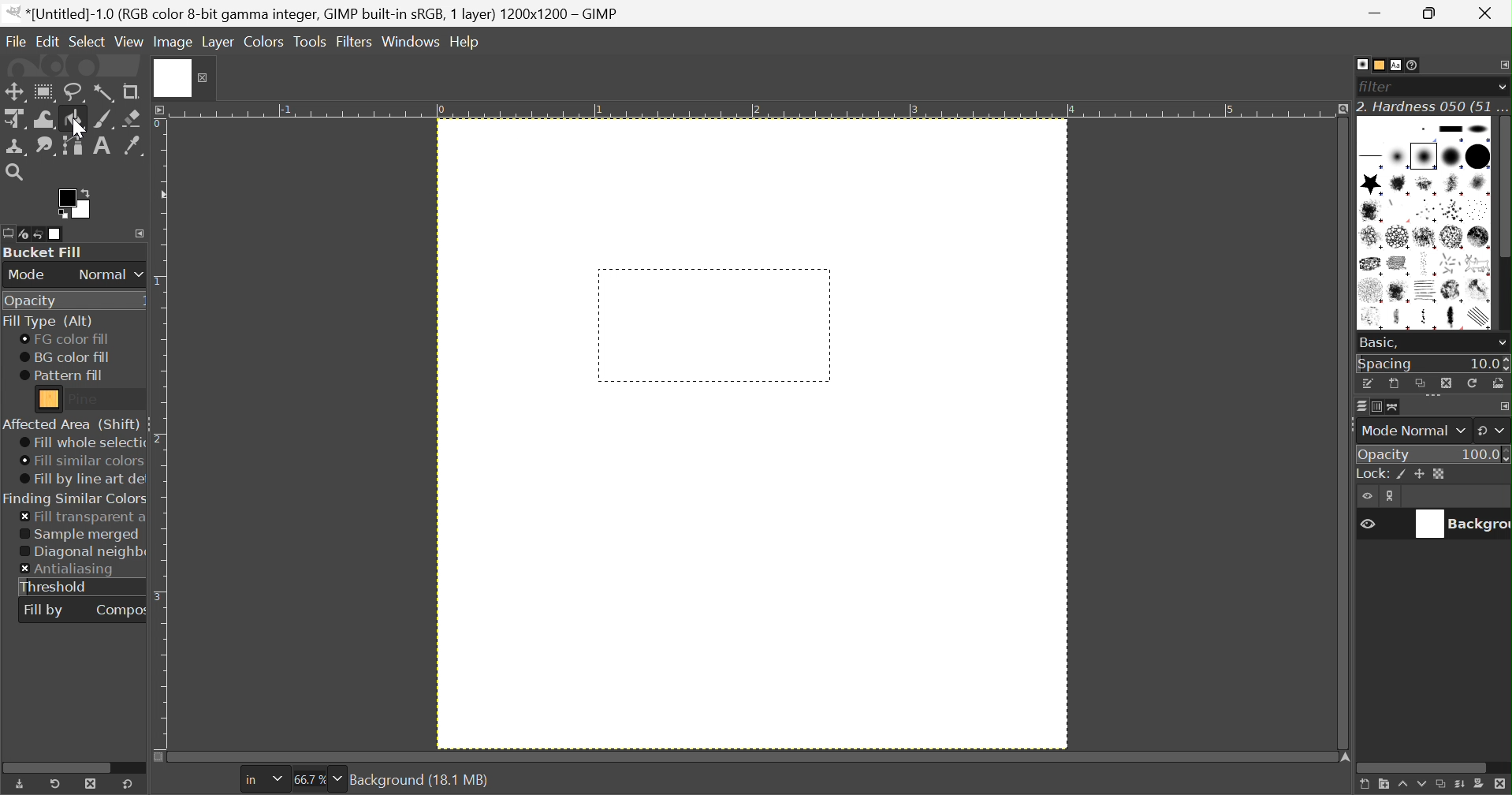 The image size is (1512, 795). Describe the element at coordinates (1455, 319) in the screenshot. I see `Pencil 03` at that location.